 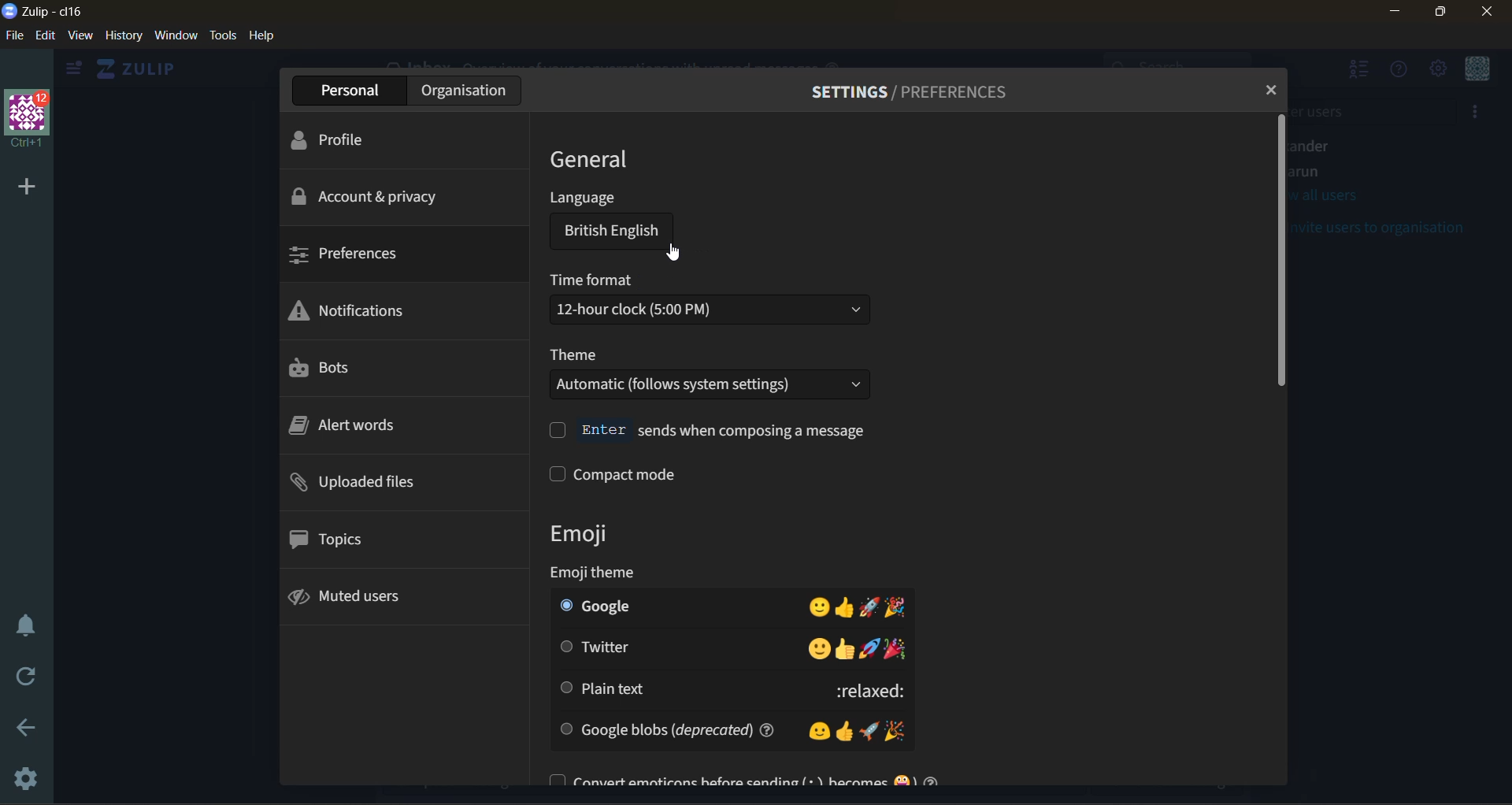 What do you see at coordinates (727, 728) in the screenshot?
I see `google blobs` at bounding box center [727, 728].